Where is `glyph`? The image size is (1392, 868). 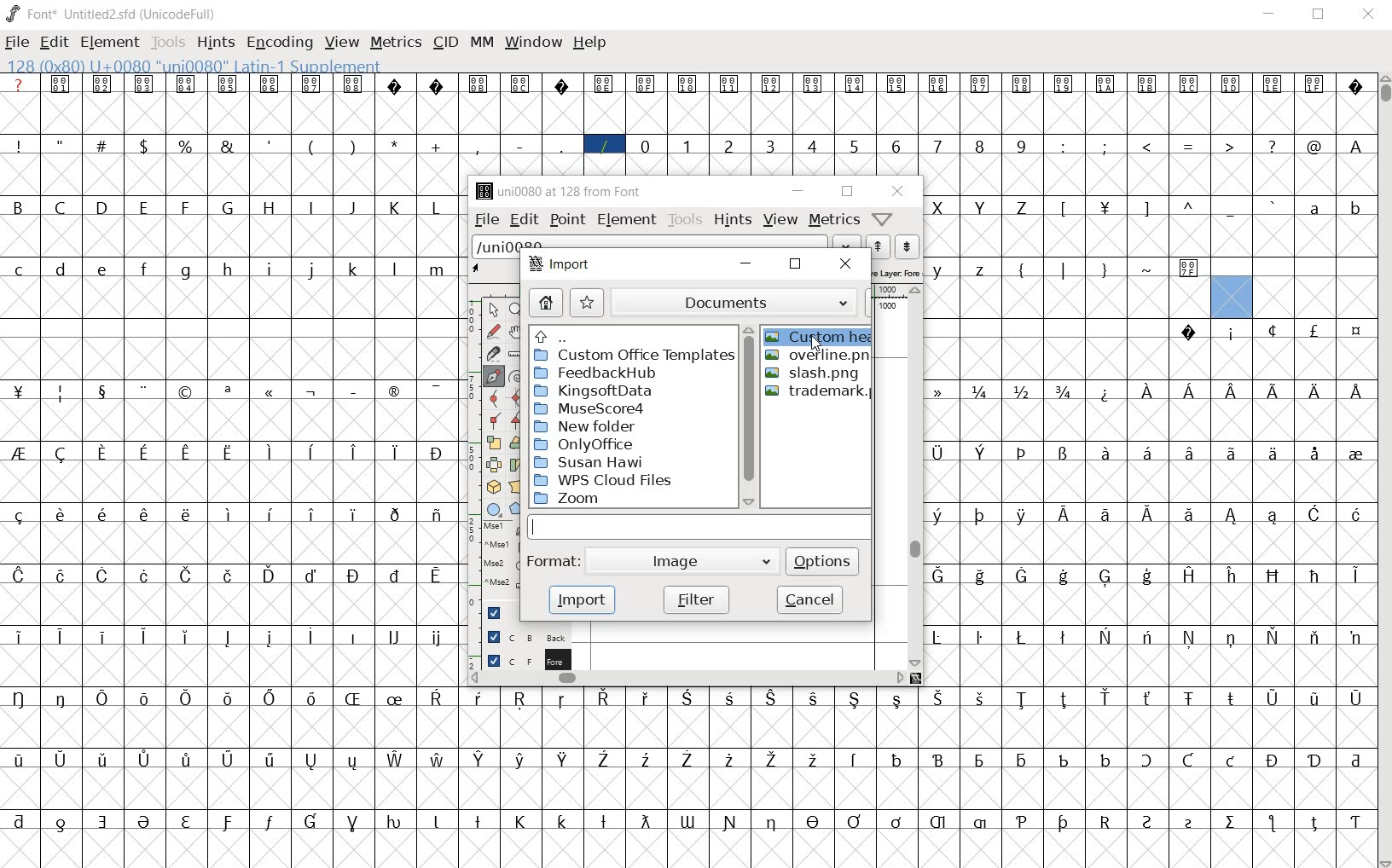 glyph is located at coordinates (1355, 455).